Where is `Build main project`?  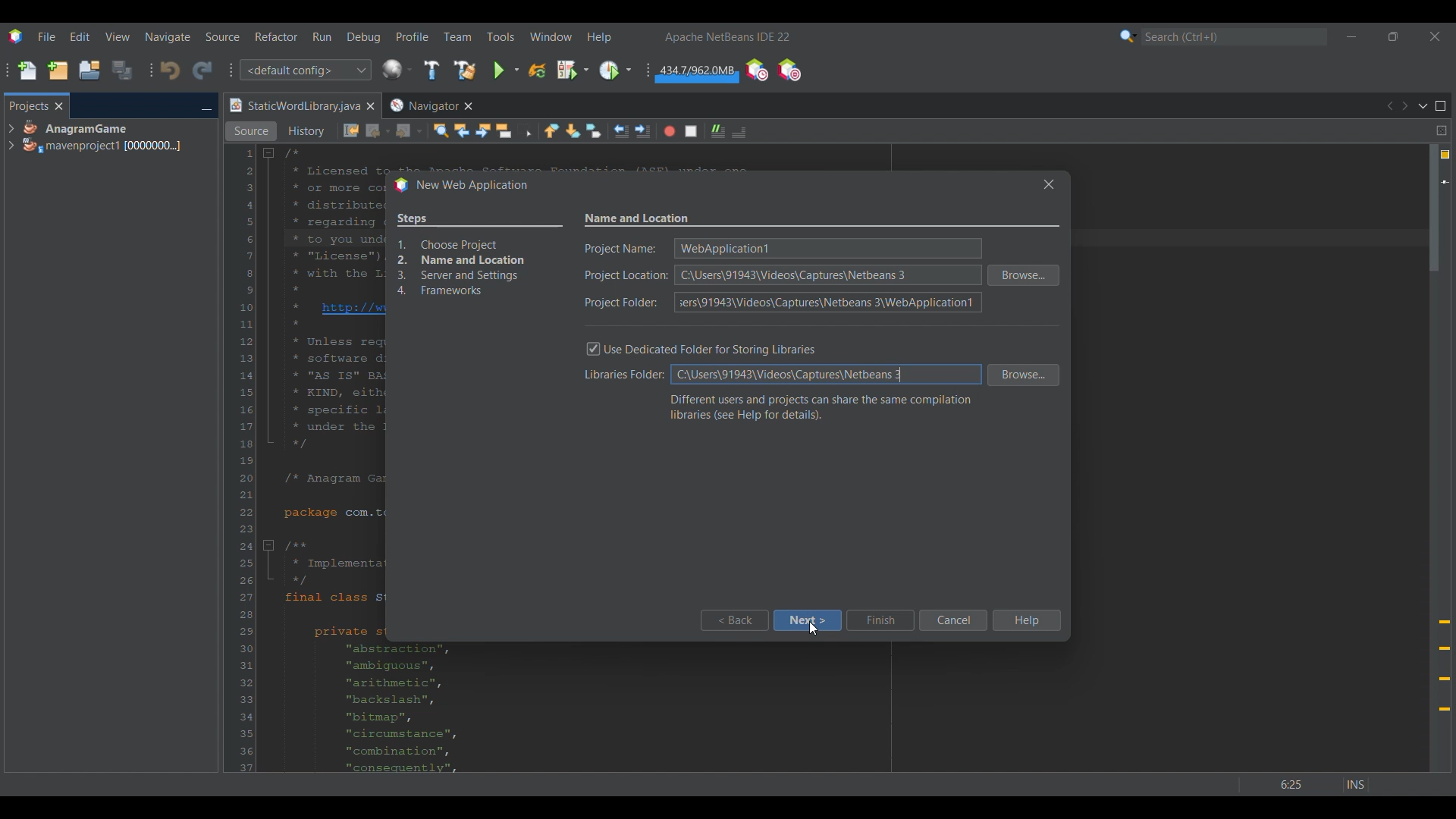 Build main project is located at coordinates (431, 70).